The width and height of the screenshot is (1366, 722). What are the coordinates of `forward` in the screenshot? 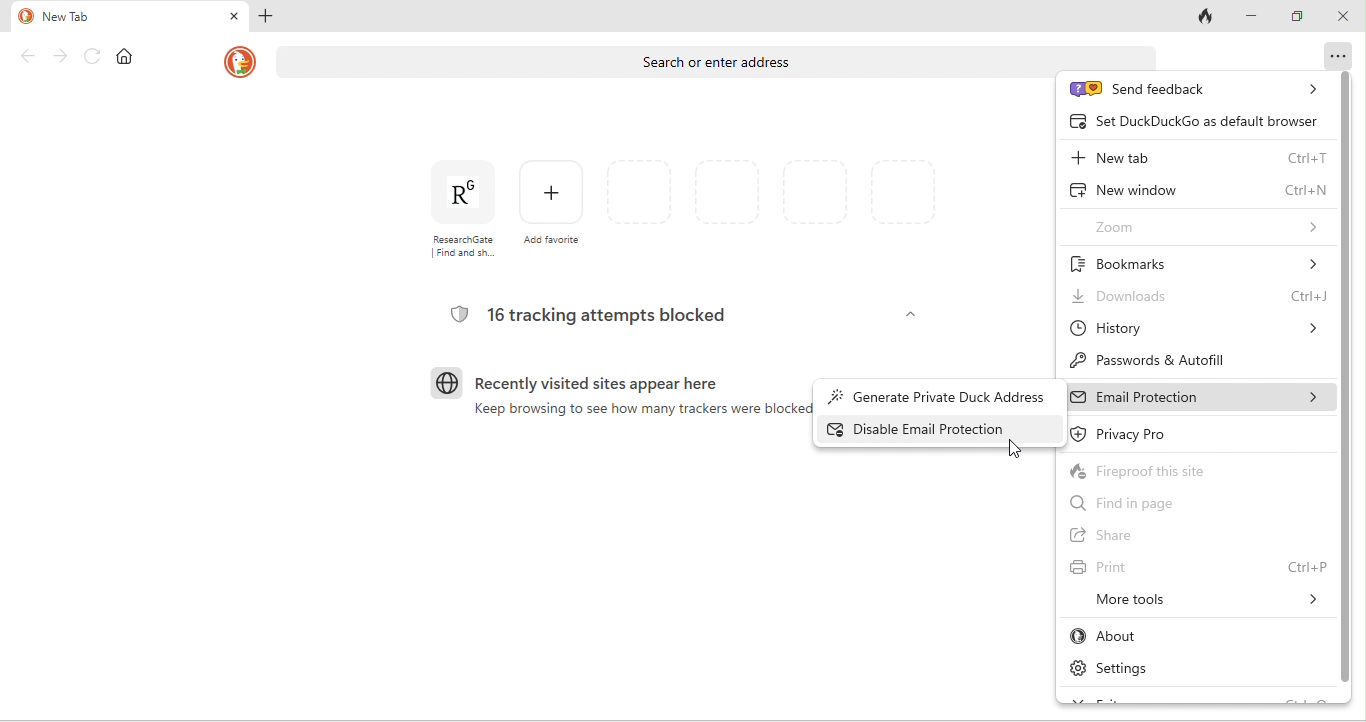 It's located at (65, 59).